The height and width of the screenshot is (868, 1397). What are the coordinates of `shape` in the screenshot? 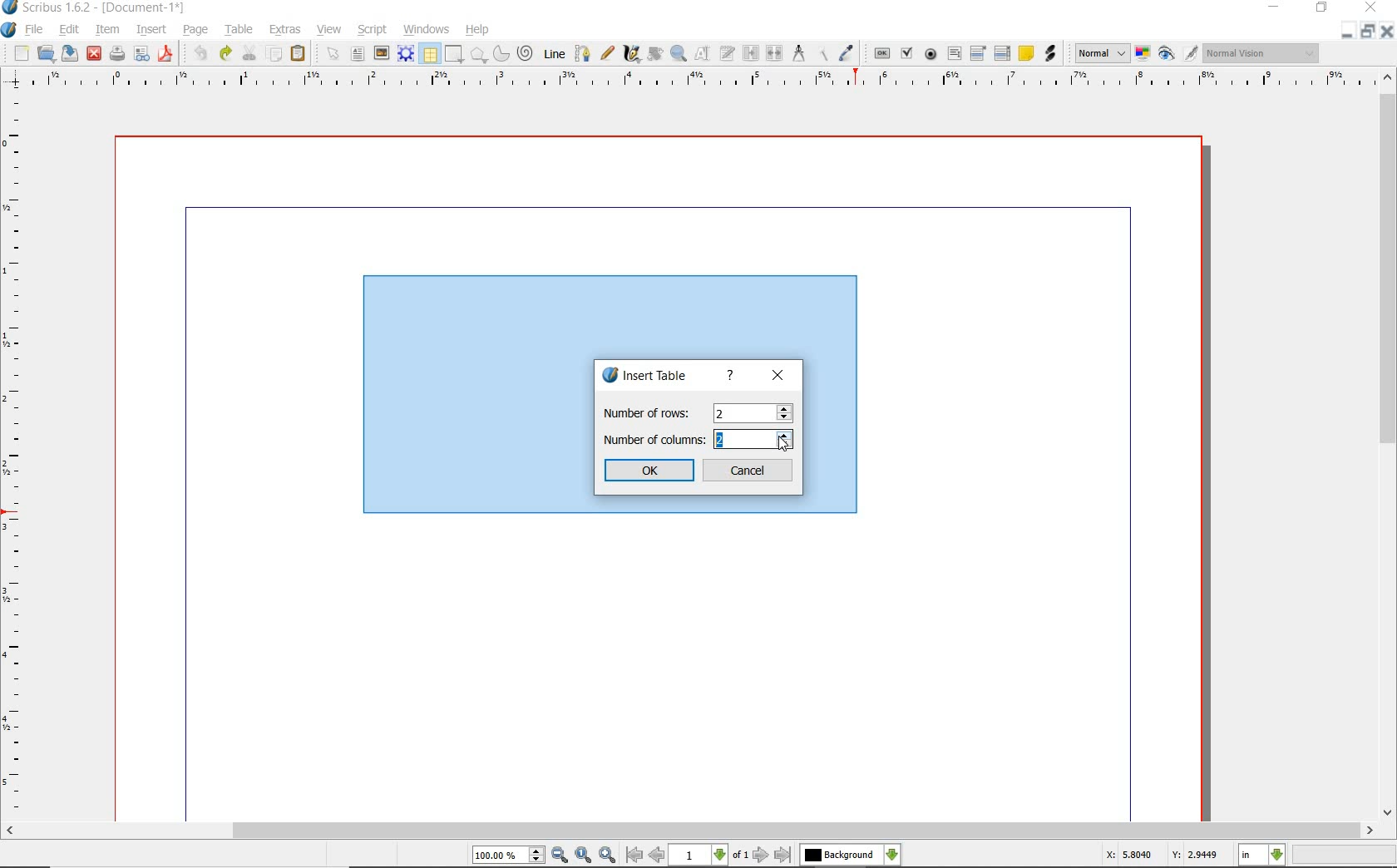 It's located at (452, 55).